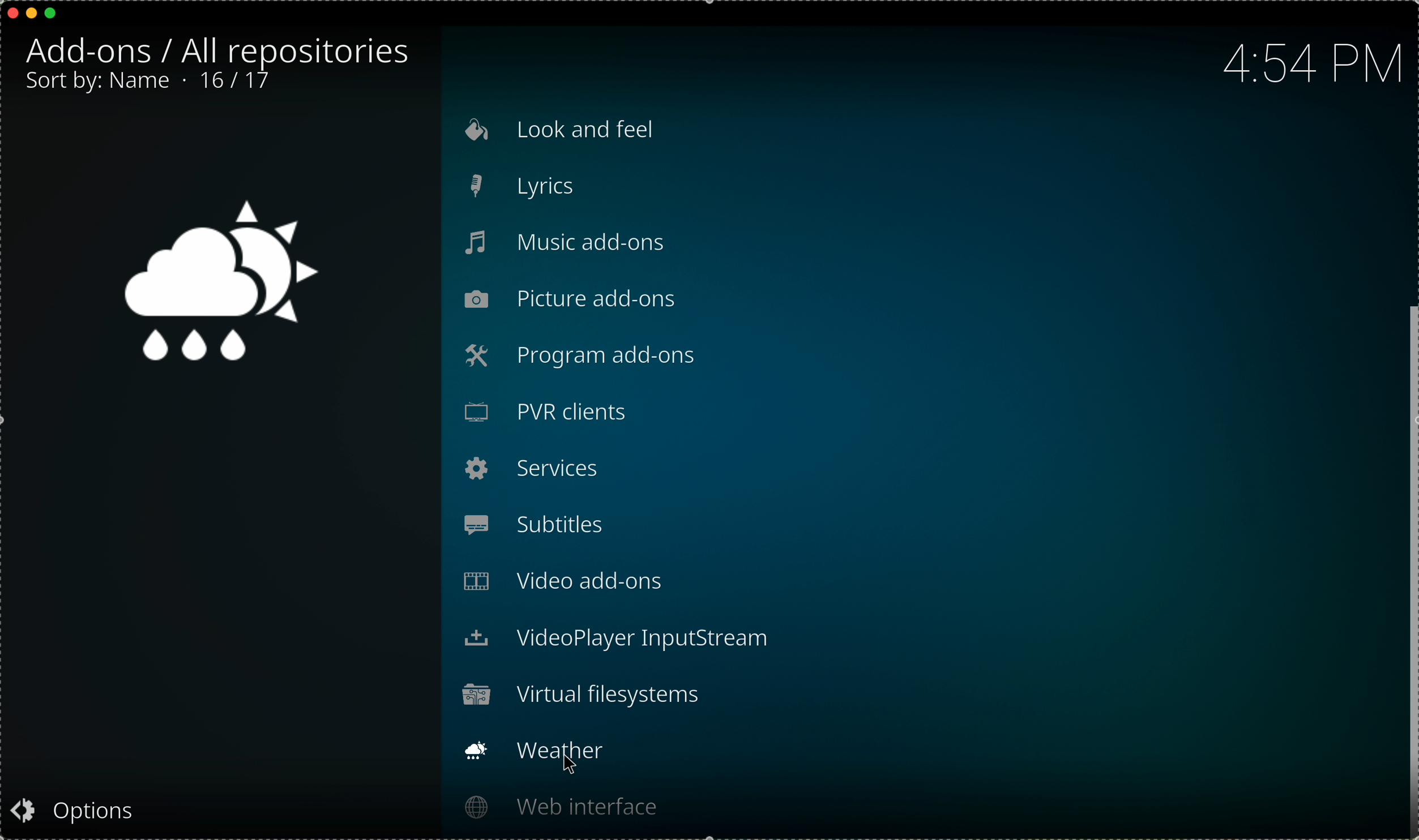 Image resolution: width=1419 pixels, height=840 pixels. What do you see at coordinates (52, 13) in the screenshot?
I see `maximize` at bounding box center [52, 13].